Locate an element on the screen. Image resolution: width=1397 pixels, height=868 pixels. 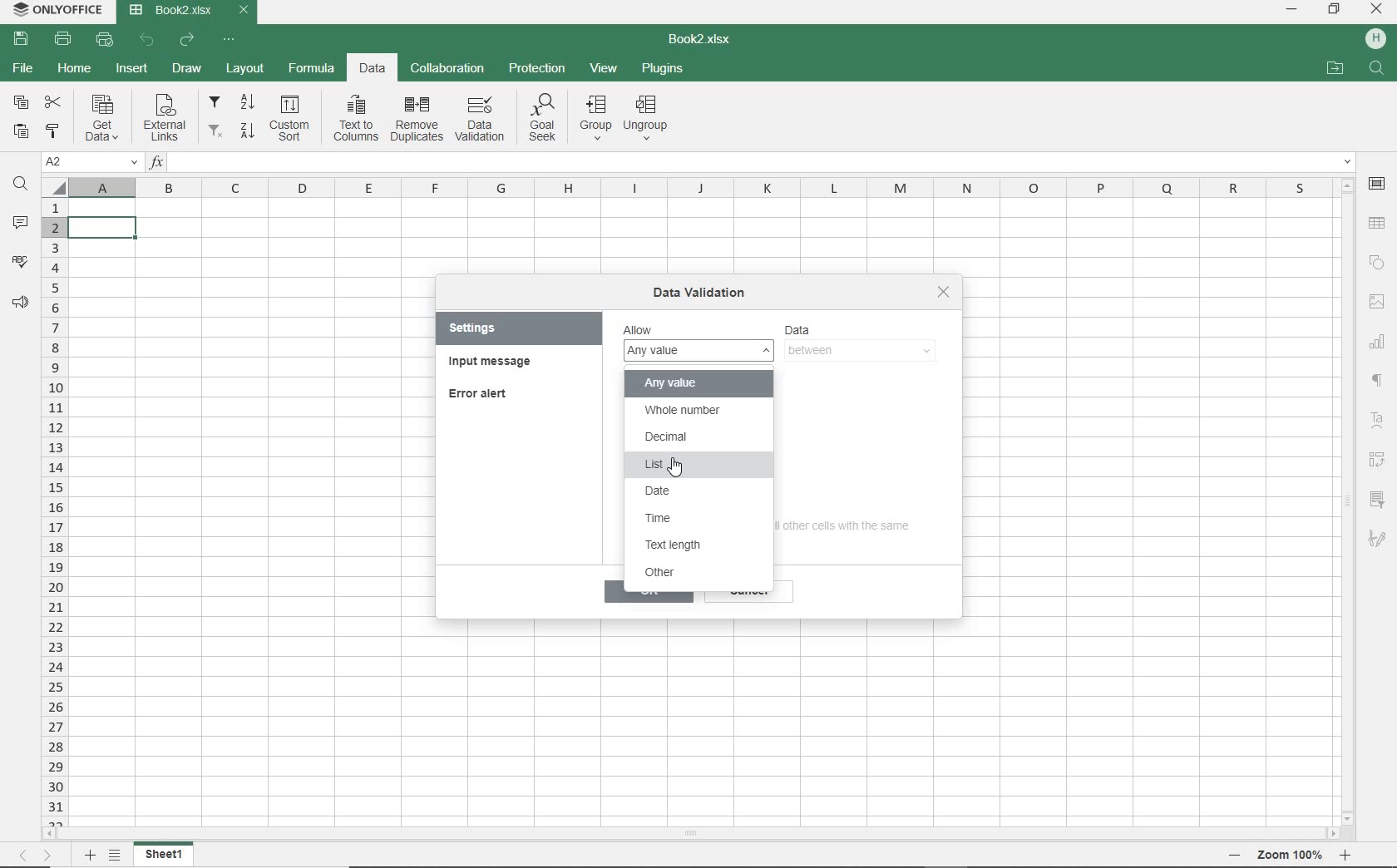
HOME is located at coordinates (76, 70).